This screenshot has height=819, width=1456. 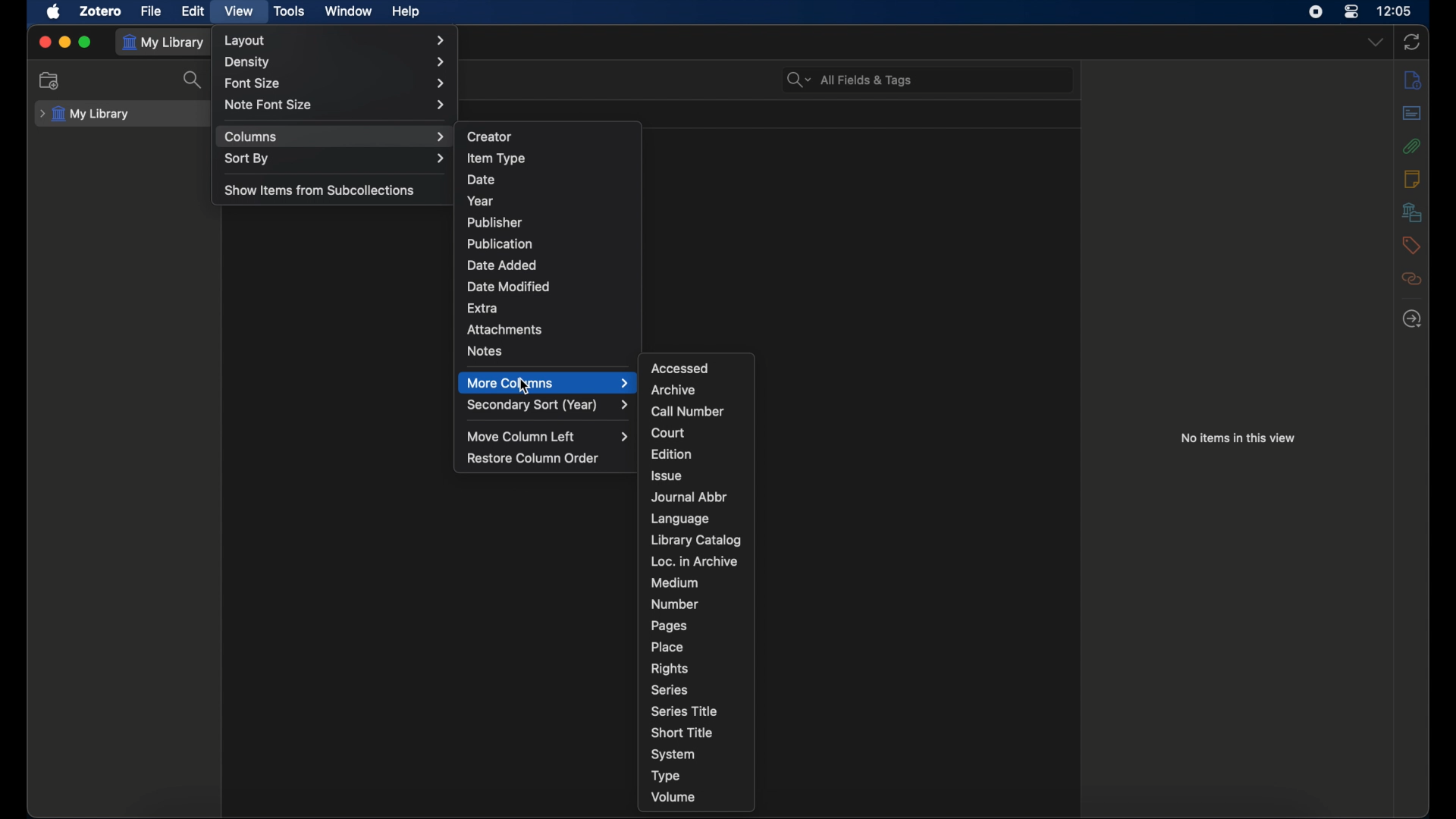 What do you see at coordinates (195, 80) in the screenshot?
I see `search` at bounding box center [195, 80].